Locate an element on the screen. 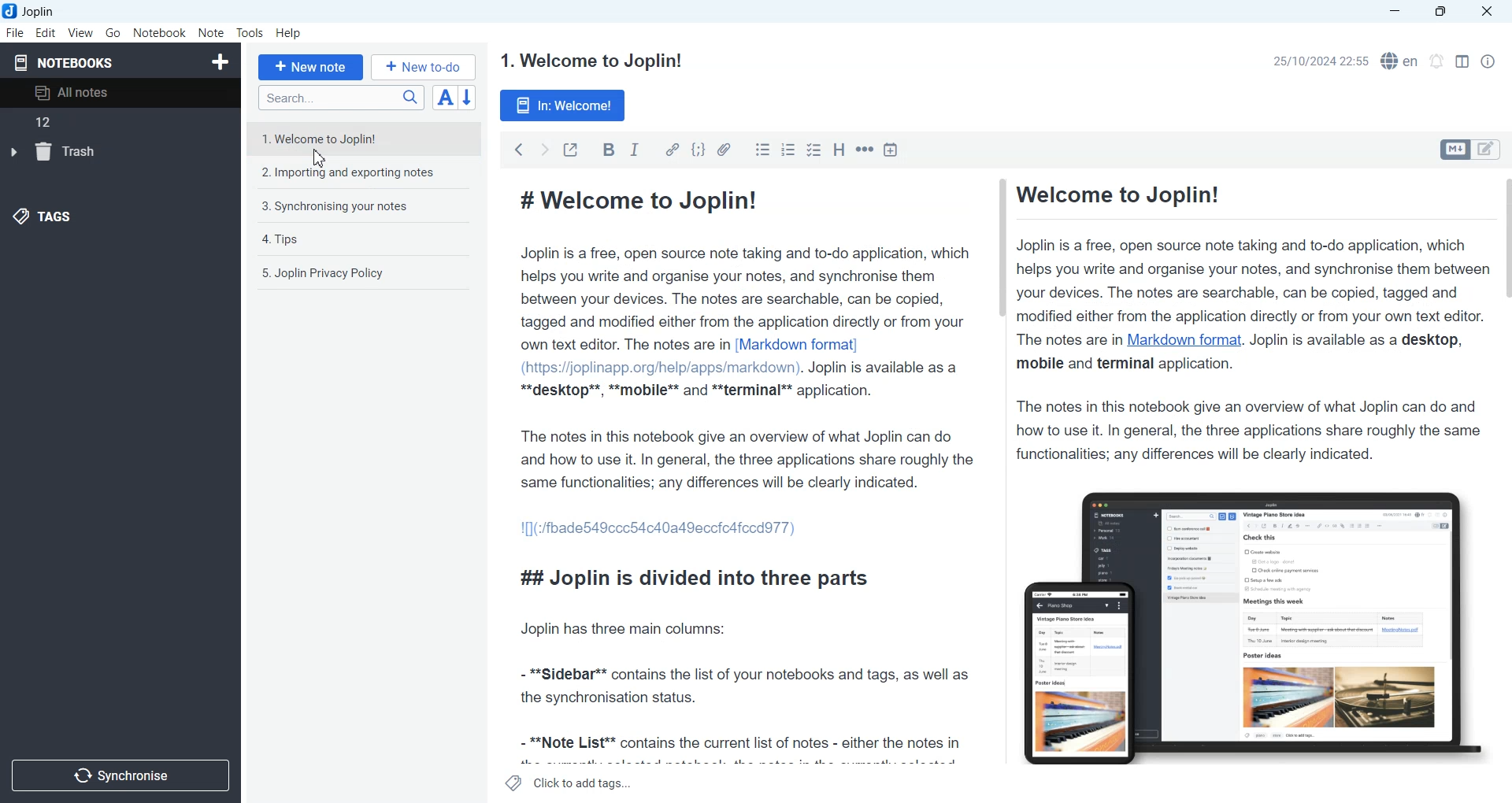 Image resolution: width=1512 pixels, height=803 pixels. Search bar is located at coordinates (341, 98).